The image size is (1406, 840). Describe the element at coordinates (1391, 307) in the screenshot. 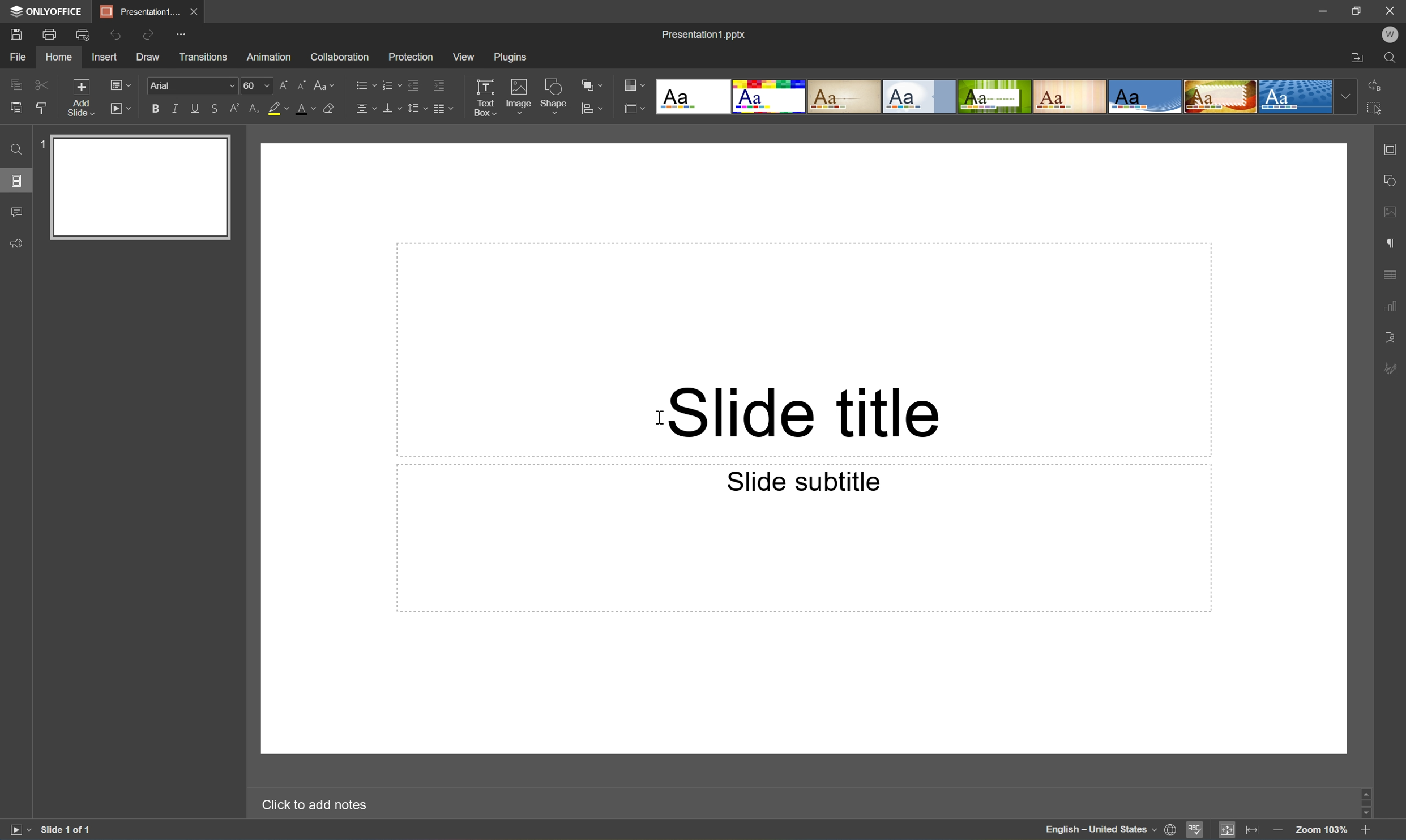

I see `Chart settings` at that location.